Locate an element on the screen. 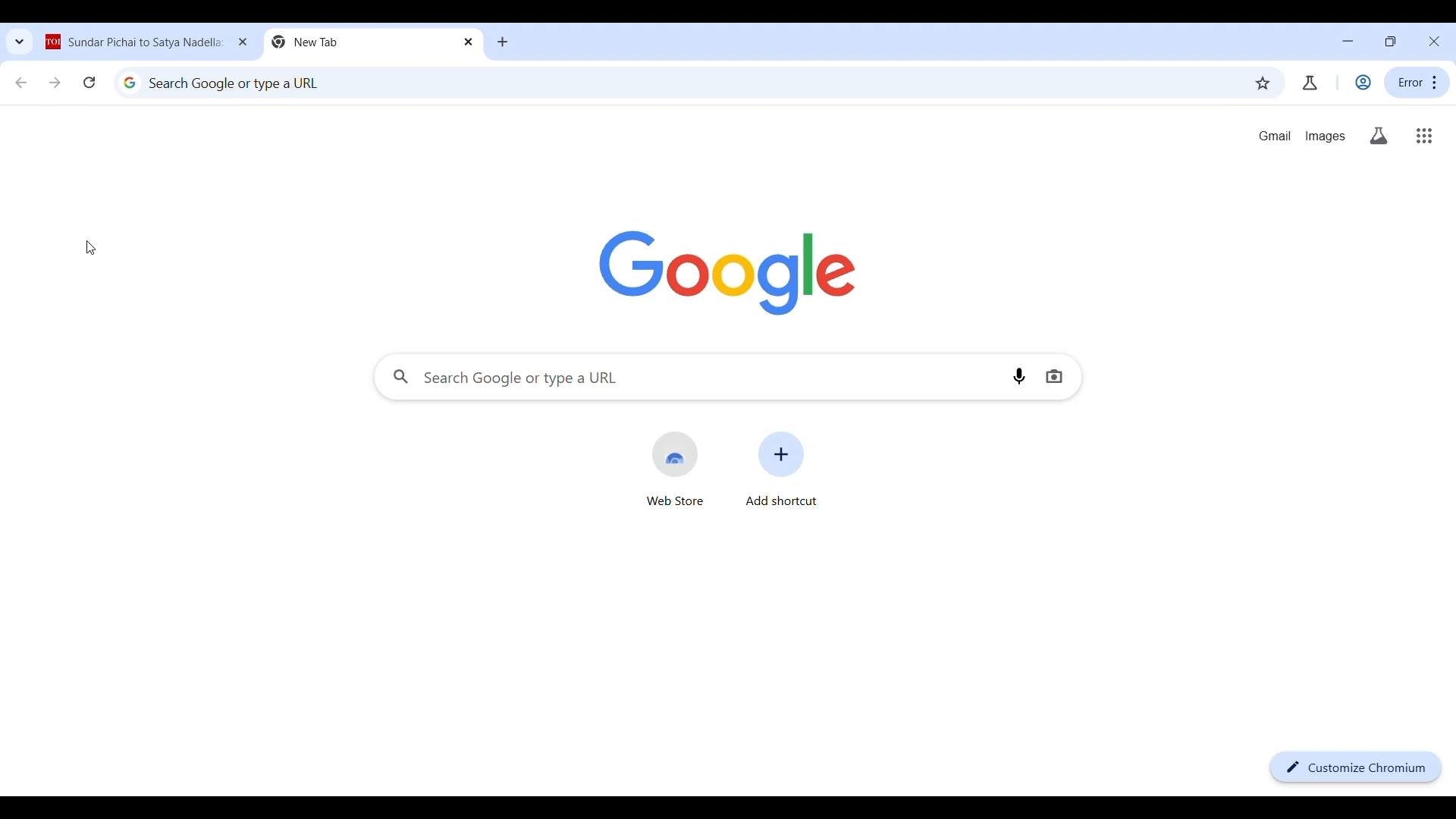  Search engine used by browser is located at coordinates (130, 82).